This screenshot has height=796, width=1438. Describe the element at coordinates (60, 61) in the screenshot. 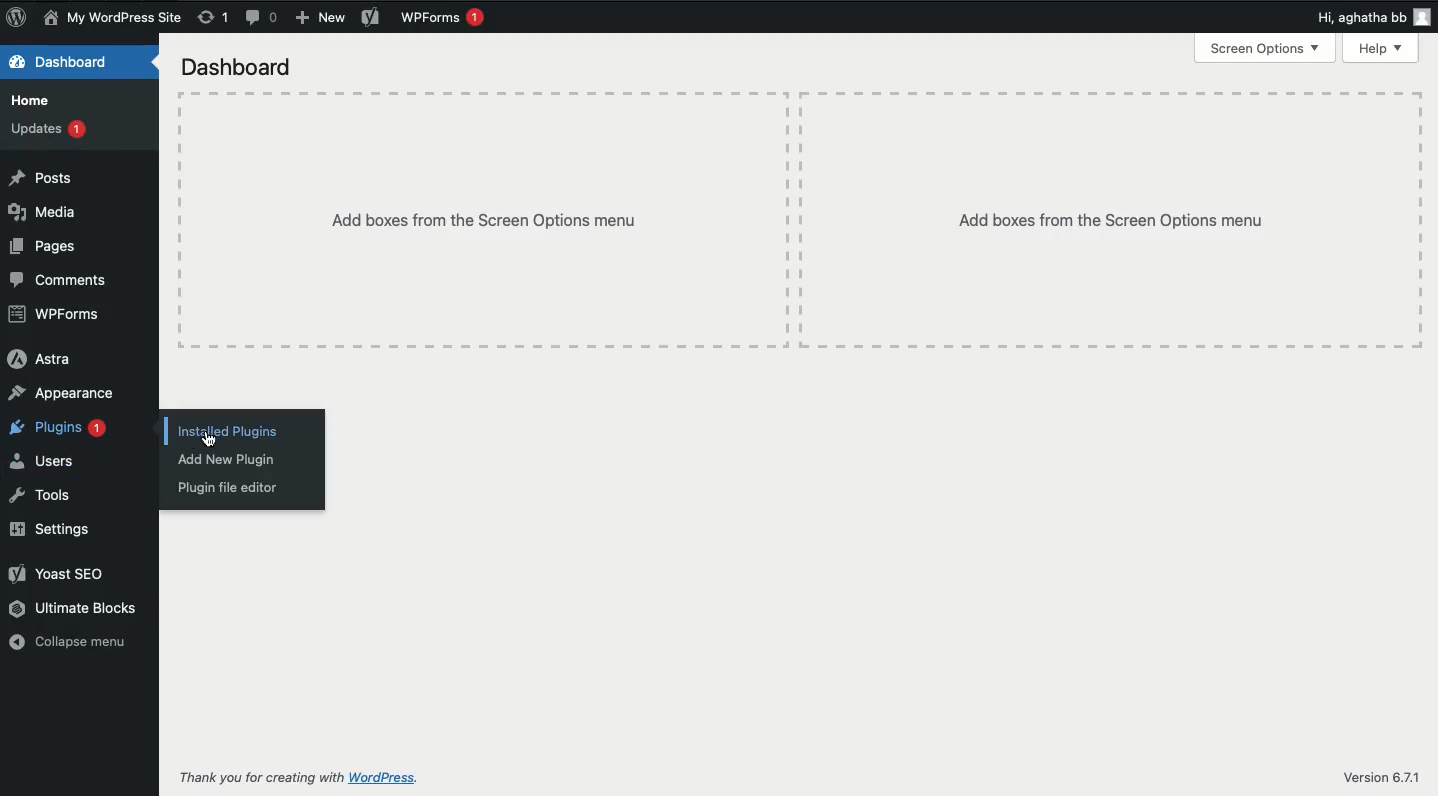

I see `Dashboard` at that location.